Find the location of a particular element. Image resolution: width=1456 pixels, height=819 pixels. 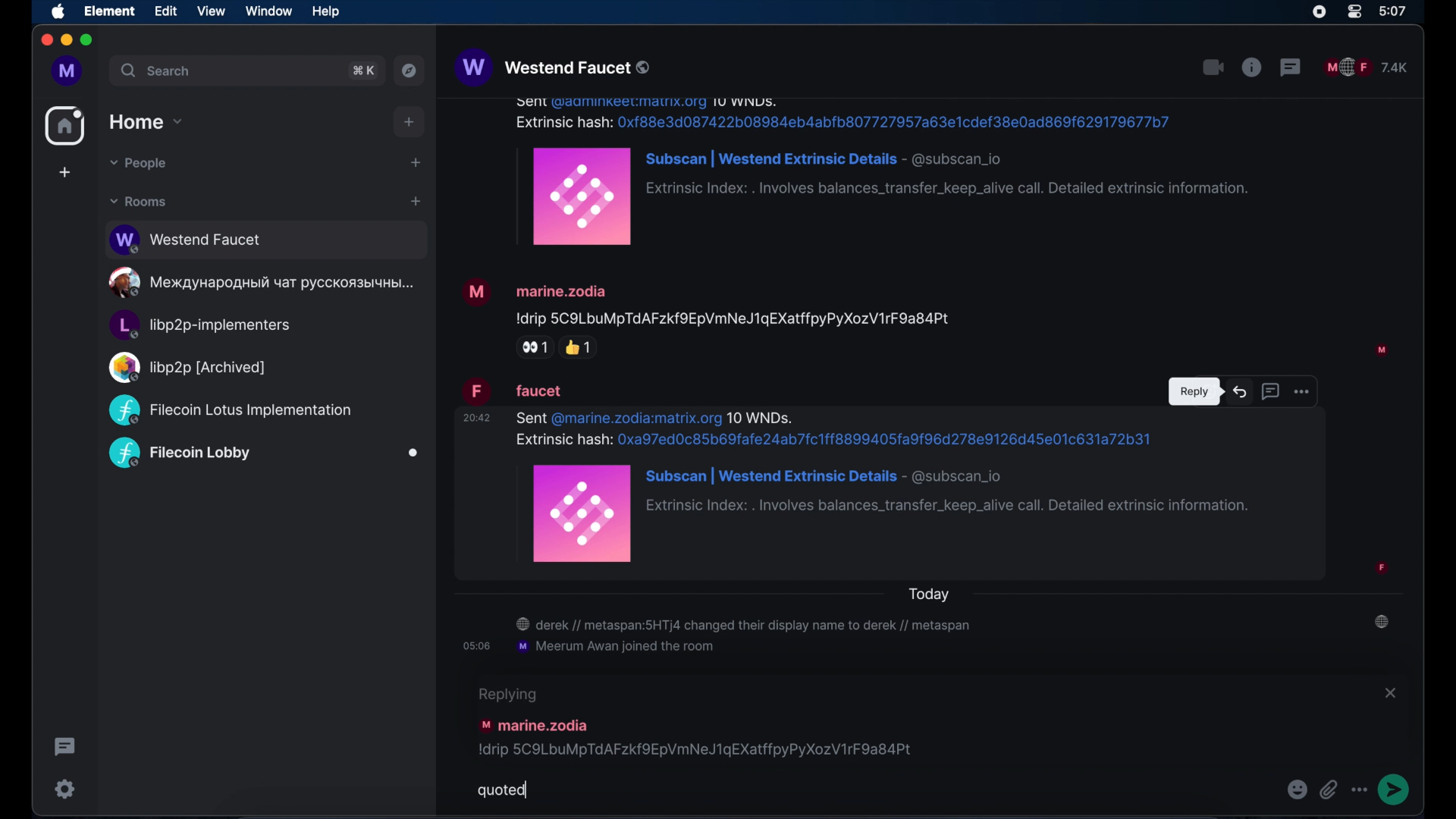

threads is located at coordinates (1291, 67).